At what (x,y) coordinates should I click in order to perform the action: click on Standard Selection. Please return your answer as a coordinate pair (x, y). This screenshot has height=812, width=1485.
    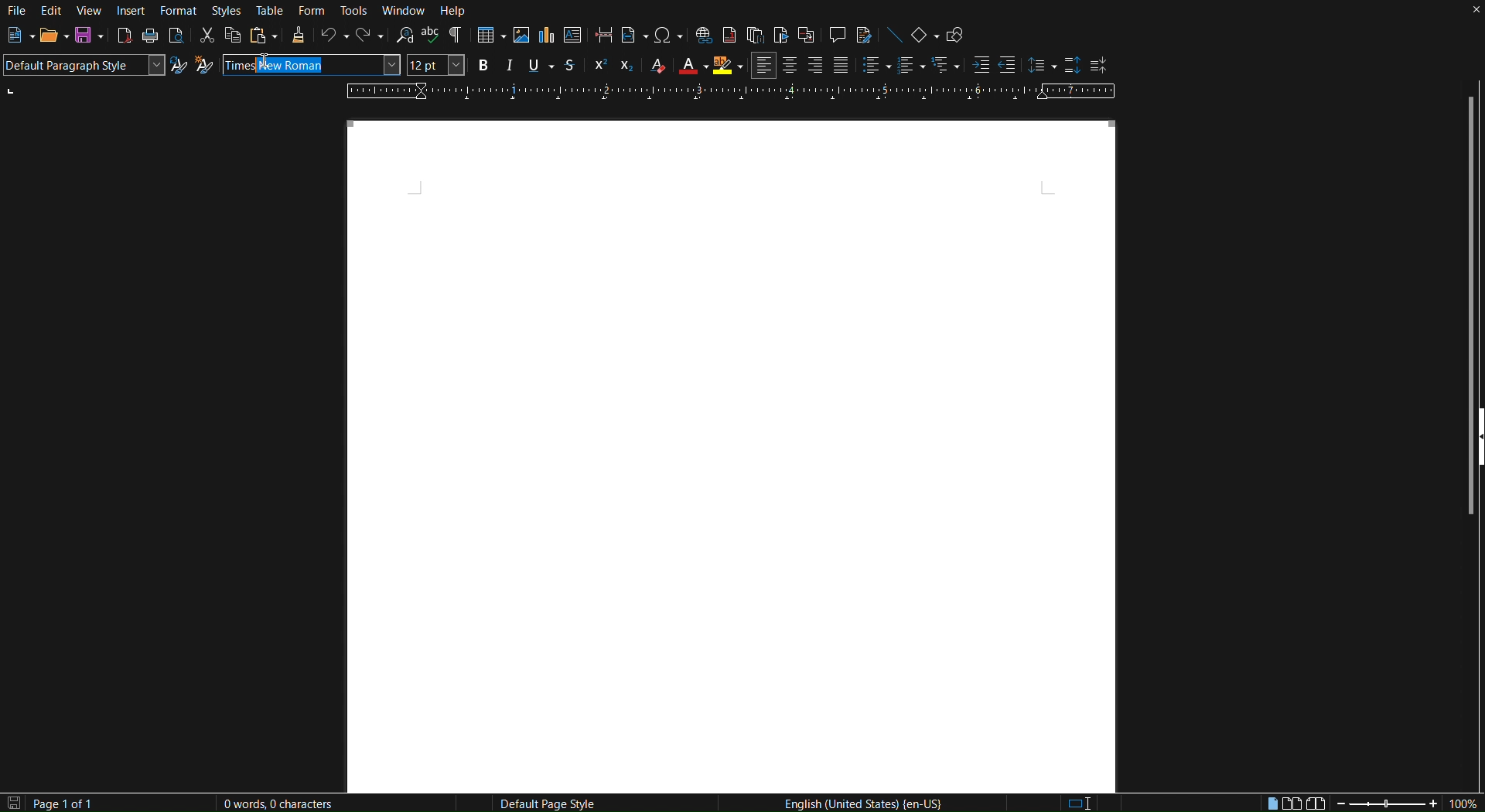
    Looking at the image, I should click on (1085, 803).